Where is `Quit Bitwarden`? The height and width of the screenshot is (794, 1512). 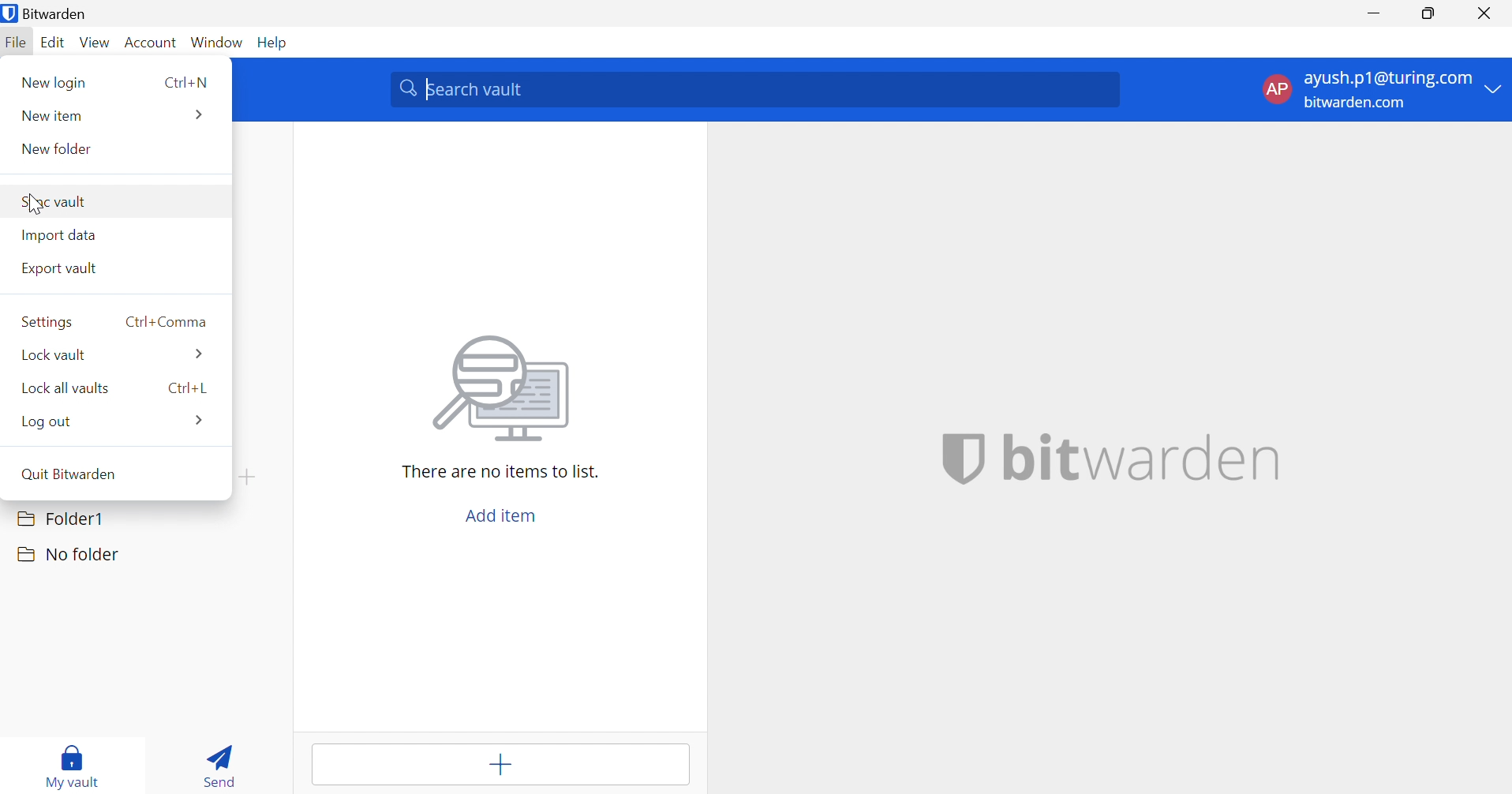
Quit Bitwarden is located at coordinates (68, 473).